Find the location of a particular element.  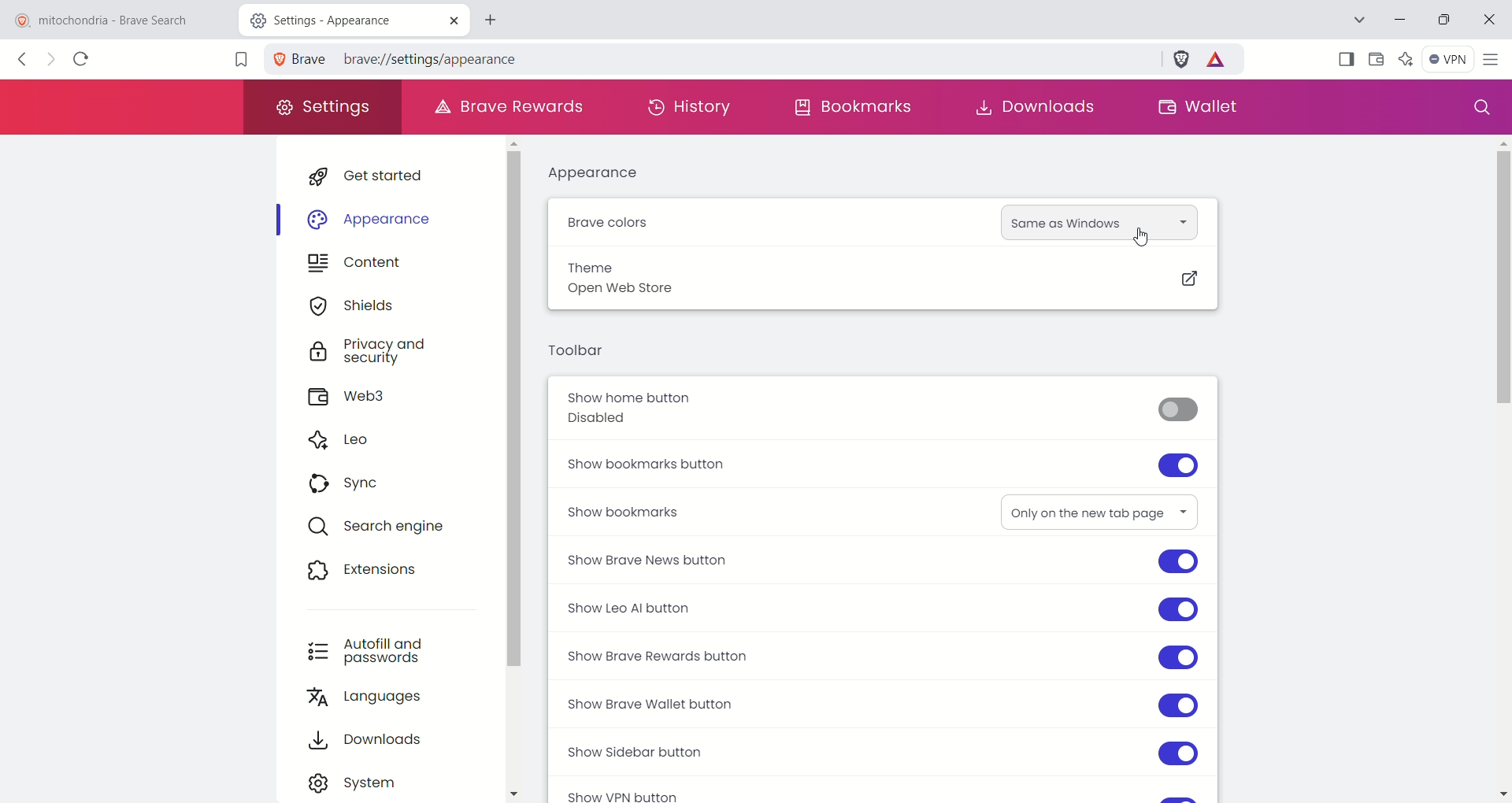

languages is located at coordinates (375, 700).